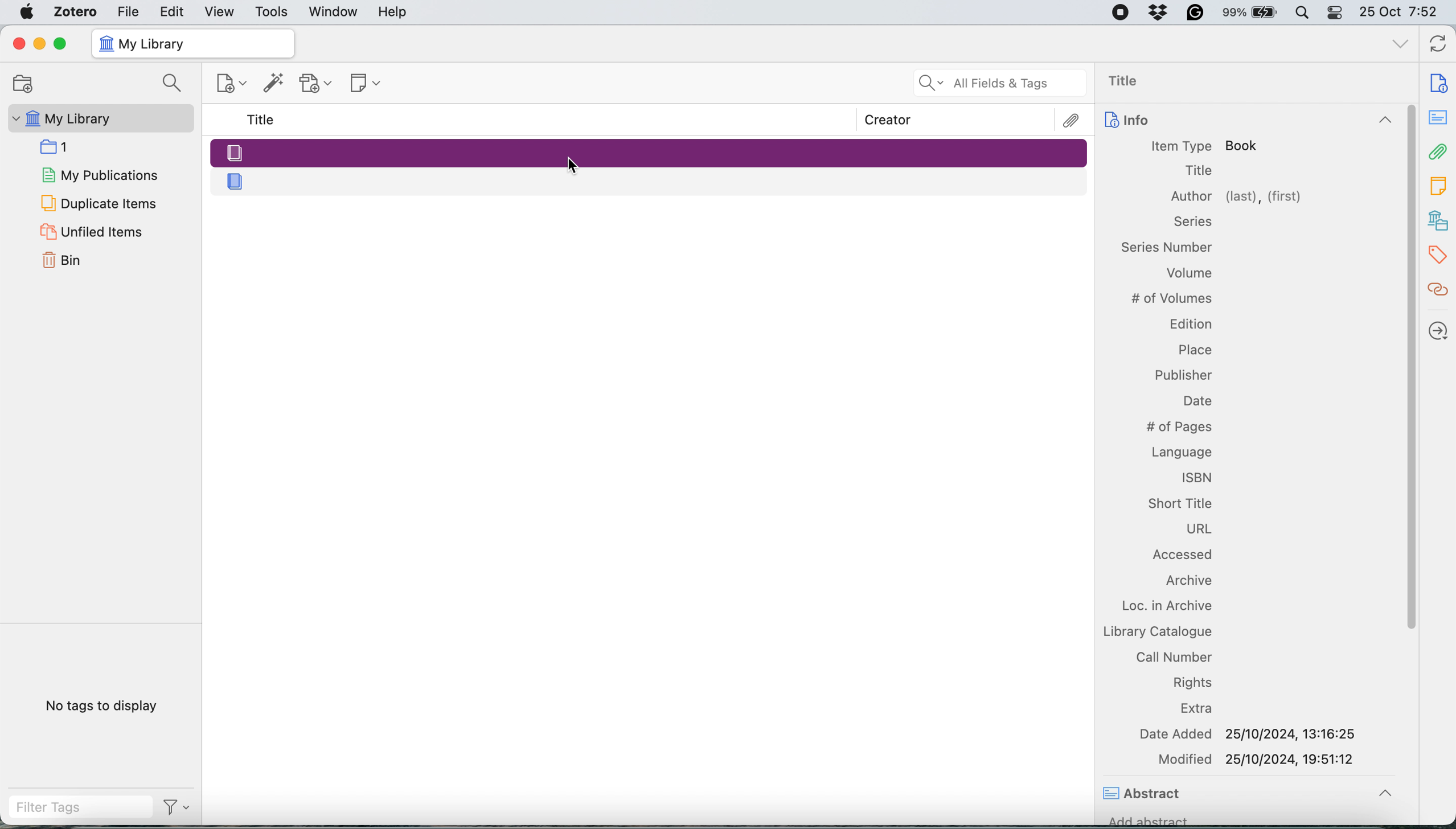 The width and height of the screenshot is (1456, 829). Describe the element at coordinates (1439, 118) in the screenshot. I see `notes` at that location.